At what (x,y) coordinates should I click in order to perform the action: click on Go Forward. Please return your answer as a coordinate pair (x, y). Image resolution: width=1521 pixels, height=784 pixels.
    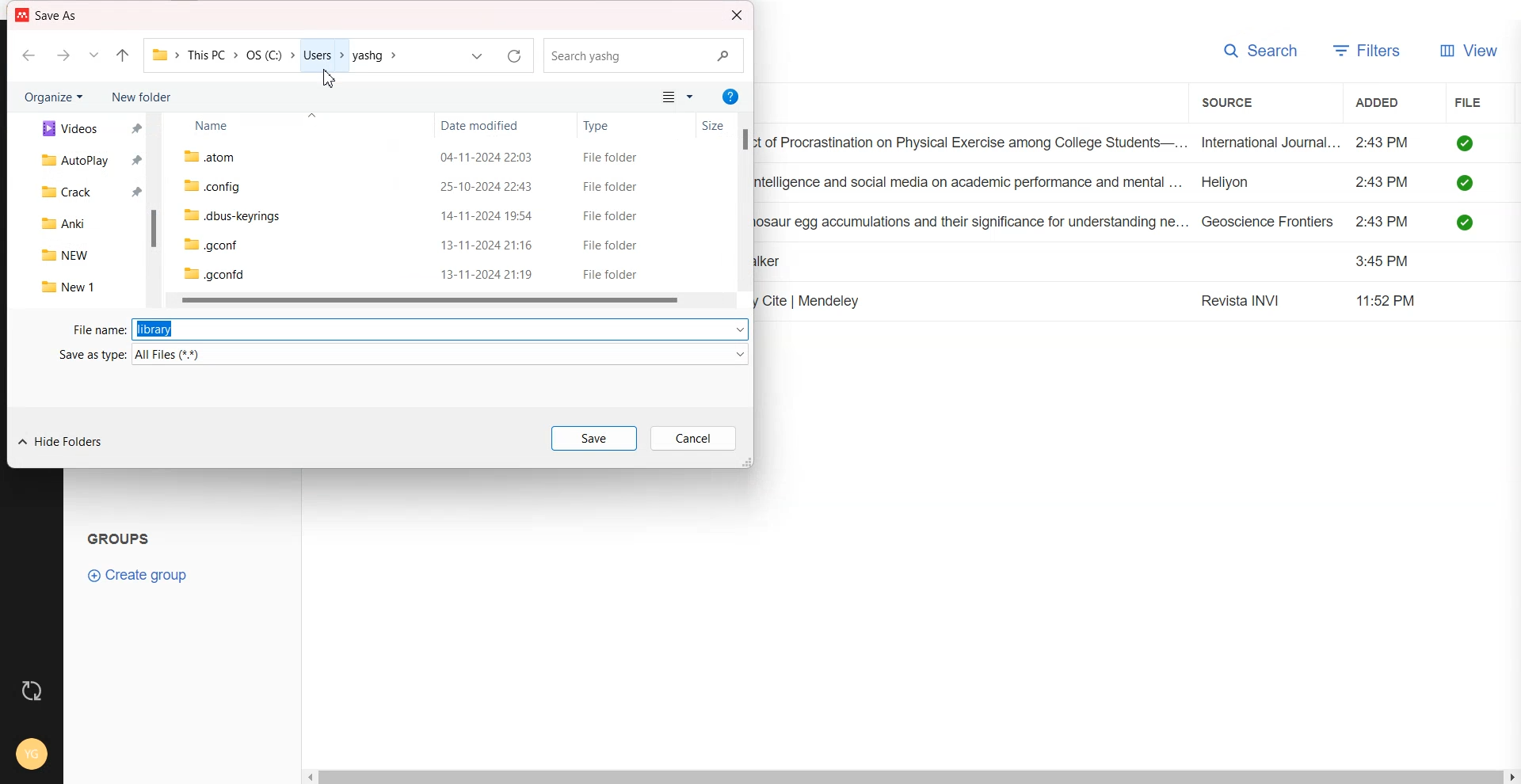
    Looking at the image, I should click on (63, 57).